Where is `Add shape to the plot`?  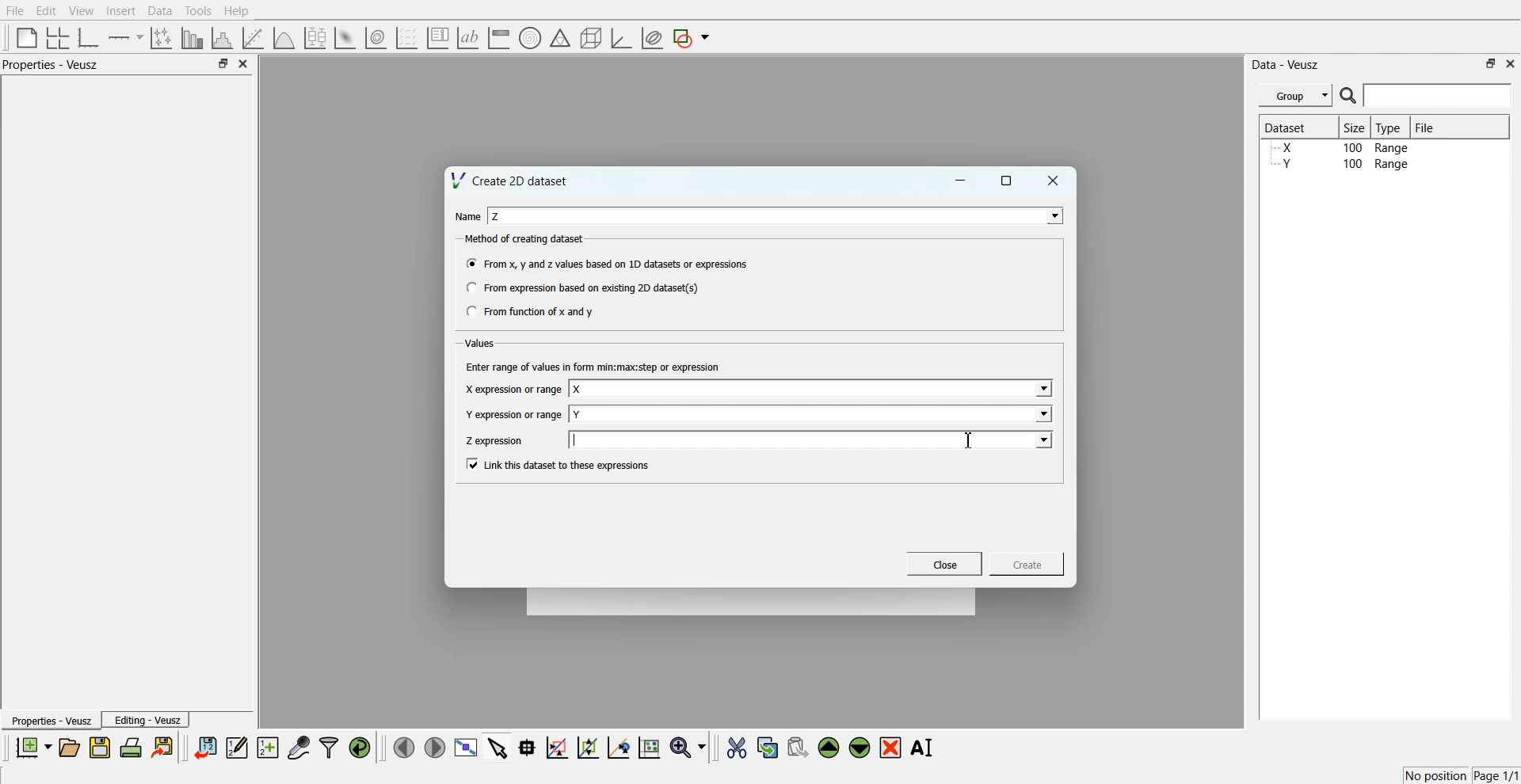 Add shape to the plot is located at coordinates (691, 38).